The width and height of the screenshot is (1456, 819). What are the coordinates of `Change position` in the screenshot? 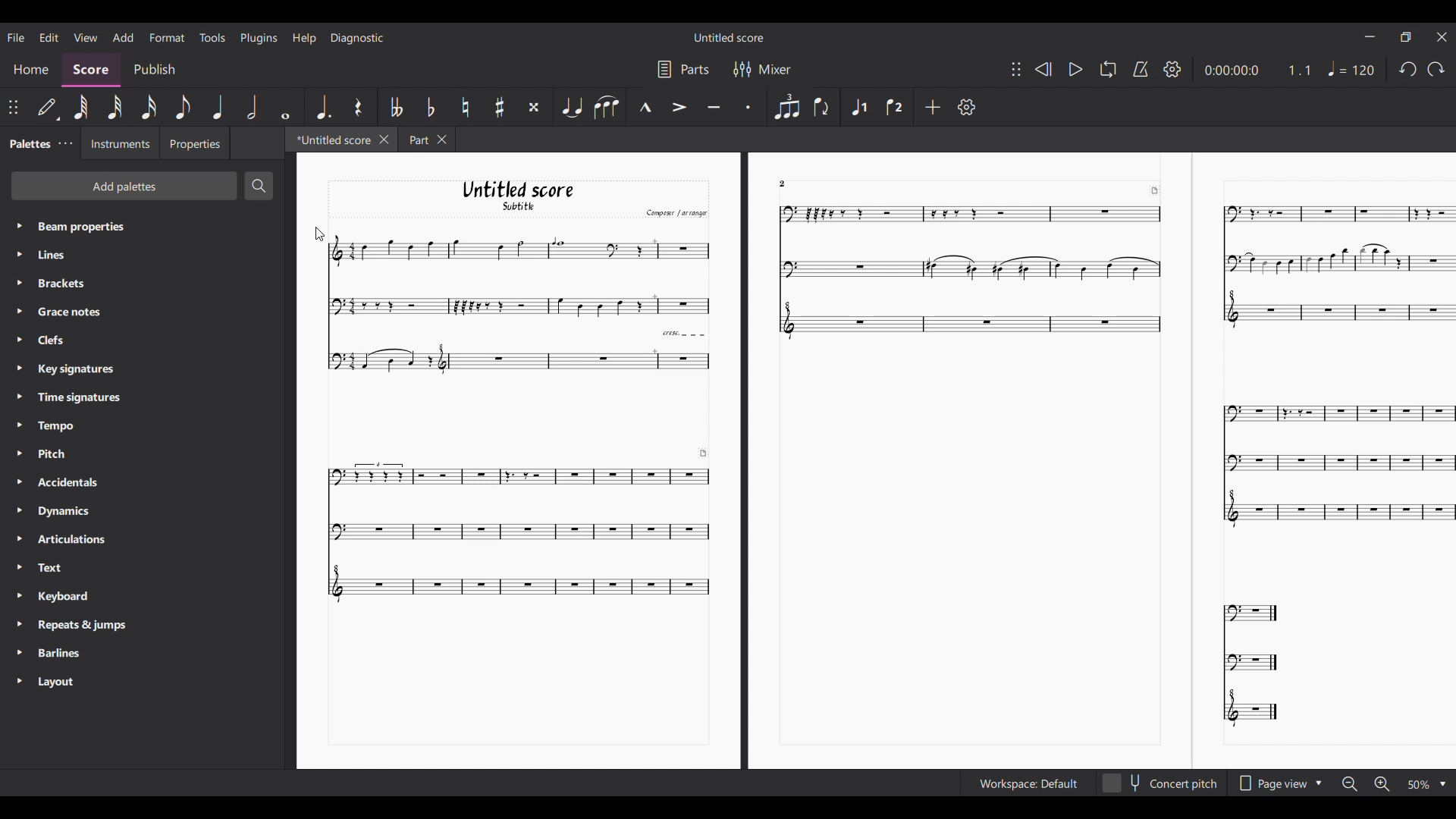 It's located at (13, 108).